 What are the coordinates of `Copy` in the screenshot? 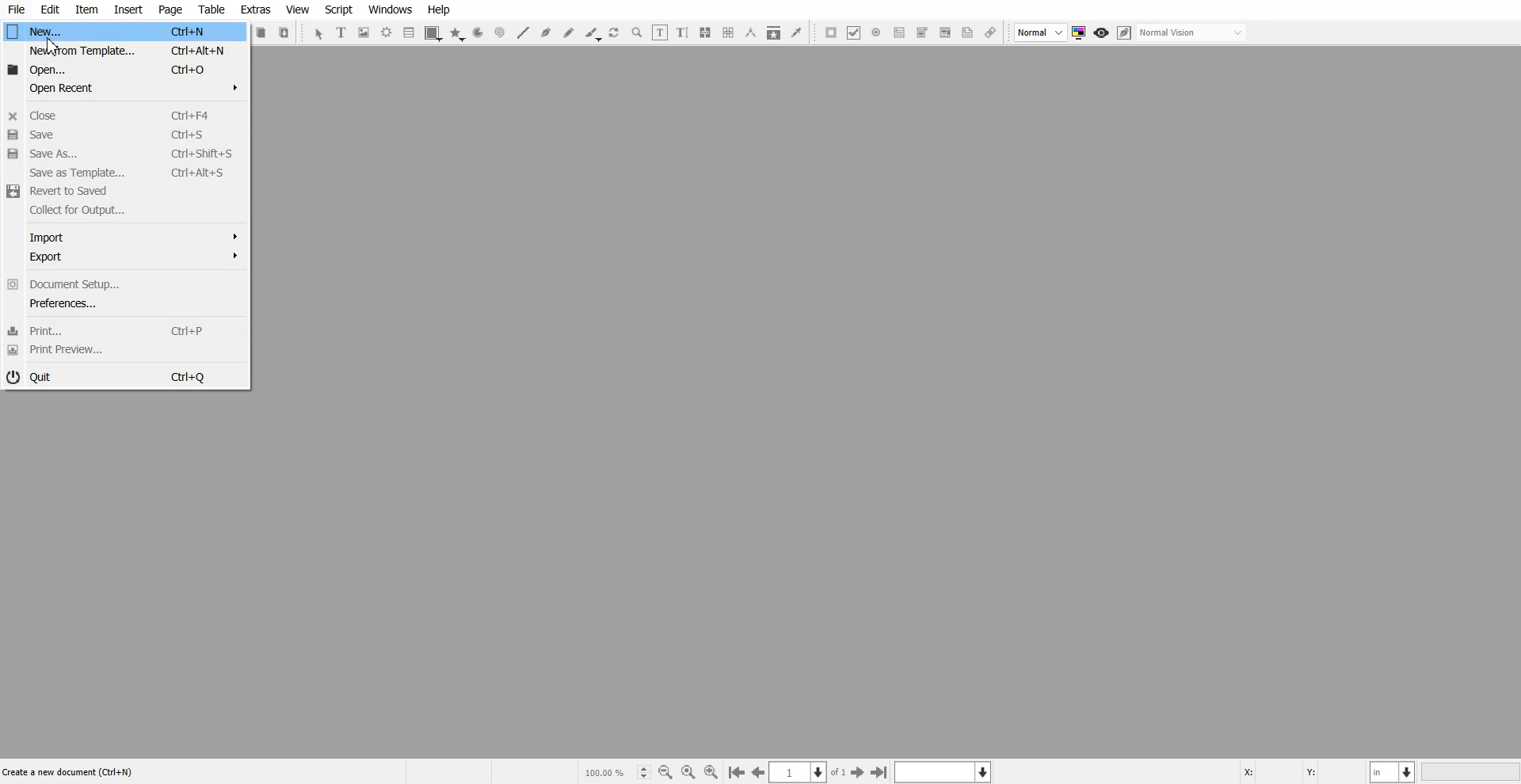 It's located at (262, 32).